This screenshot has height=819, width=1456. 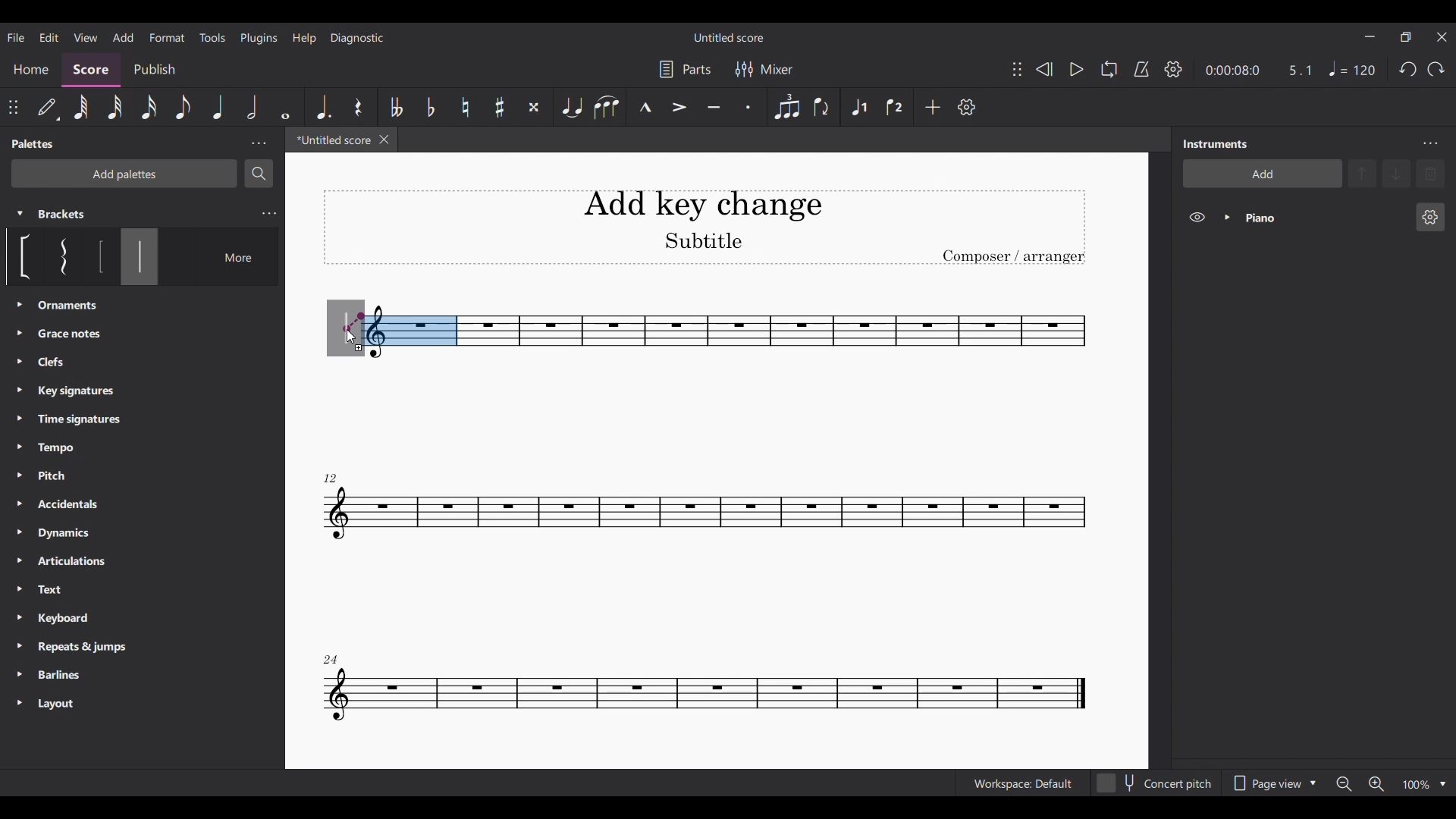 I want to click on Whole note, so click(x=285, y=108).